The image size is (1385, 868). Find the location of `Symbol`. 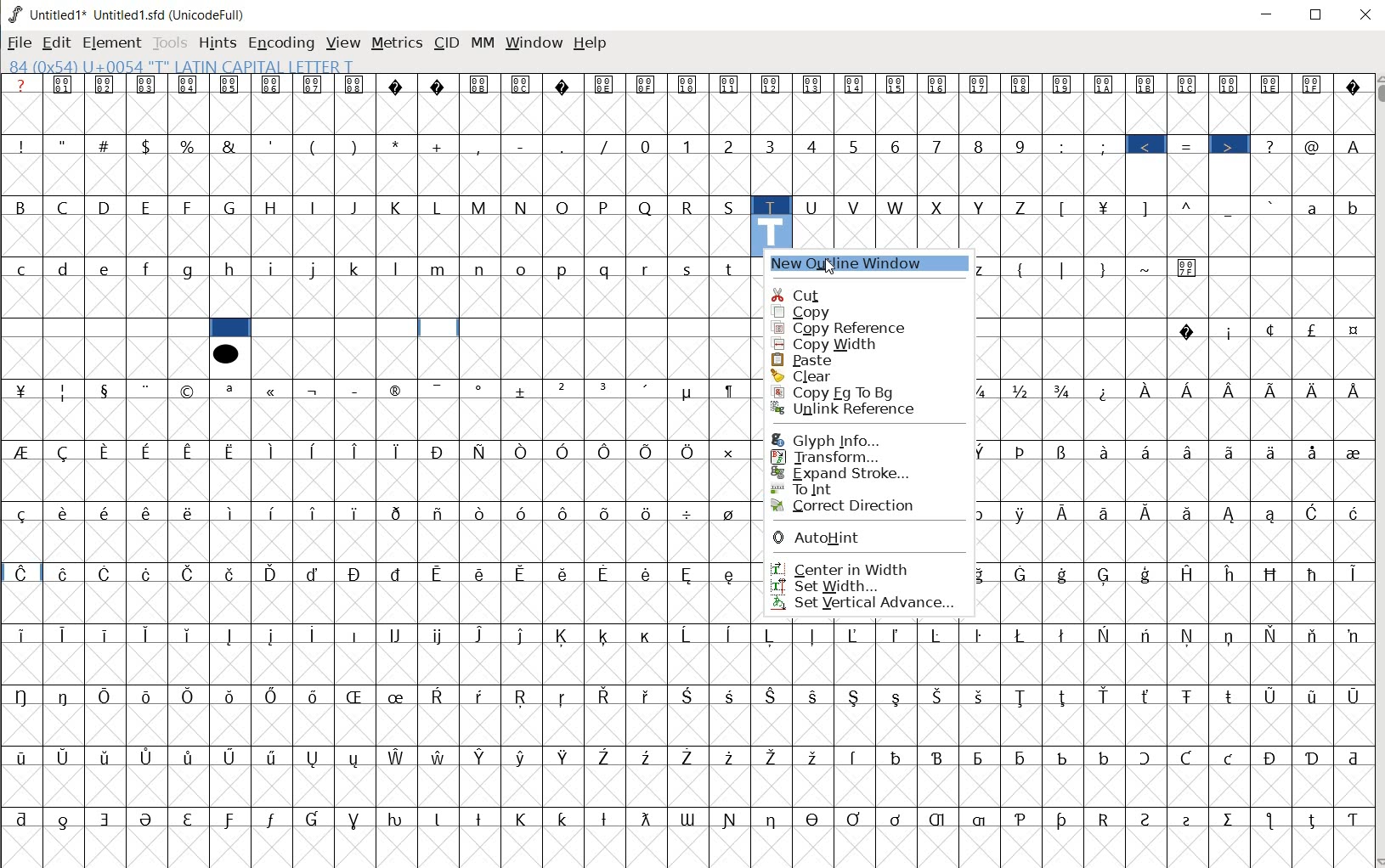

Symbol is located at coordinates (1350, 635).